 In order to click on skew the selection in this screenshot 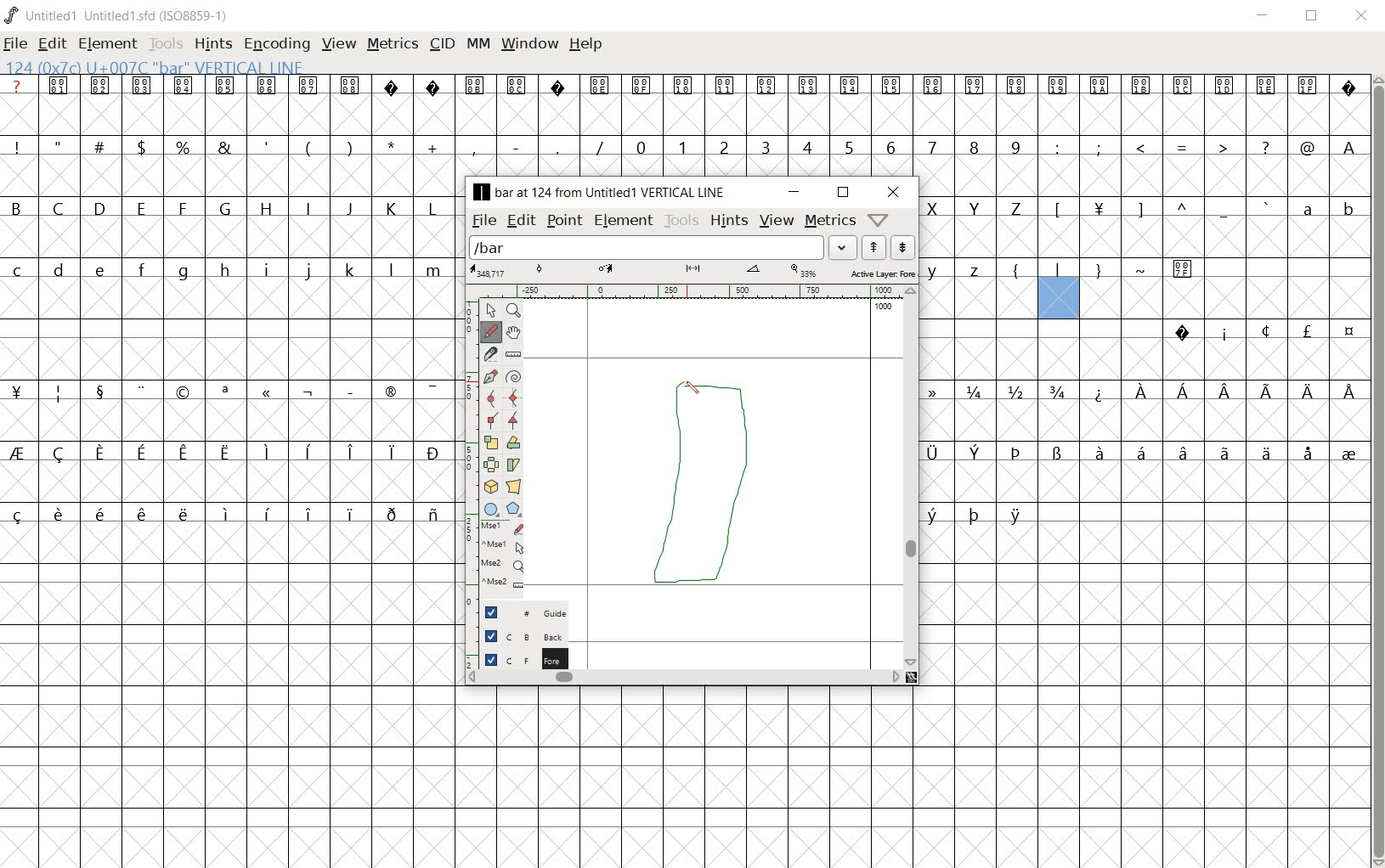, I will do `click(514, 465)`.